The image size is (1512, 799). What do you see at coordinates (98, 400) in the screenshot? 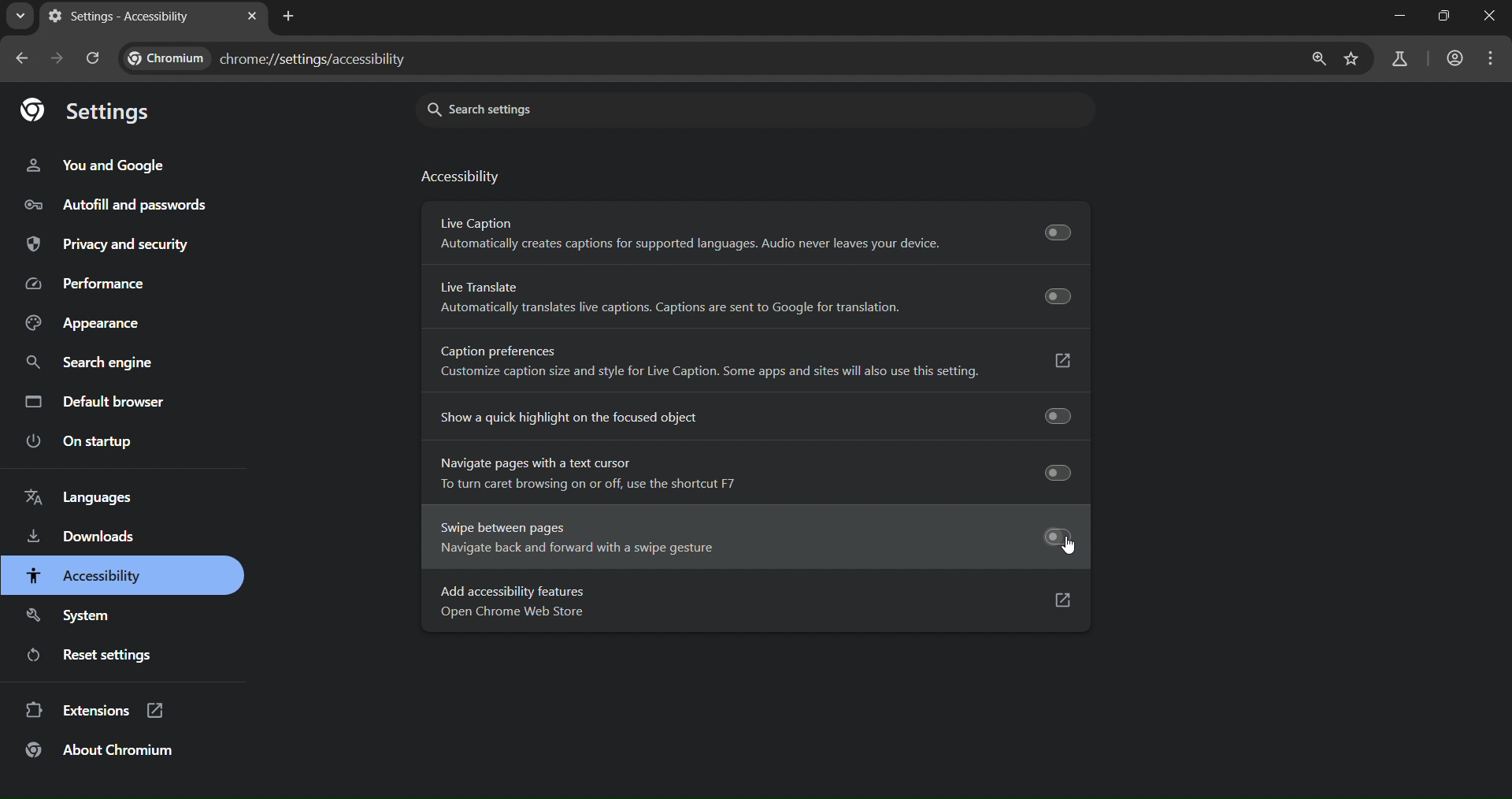
I see `default browser` at bounding box center [98, 400].